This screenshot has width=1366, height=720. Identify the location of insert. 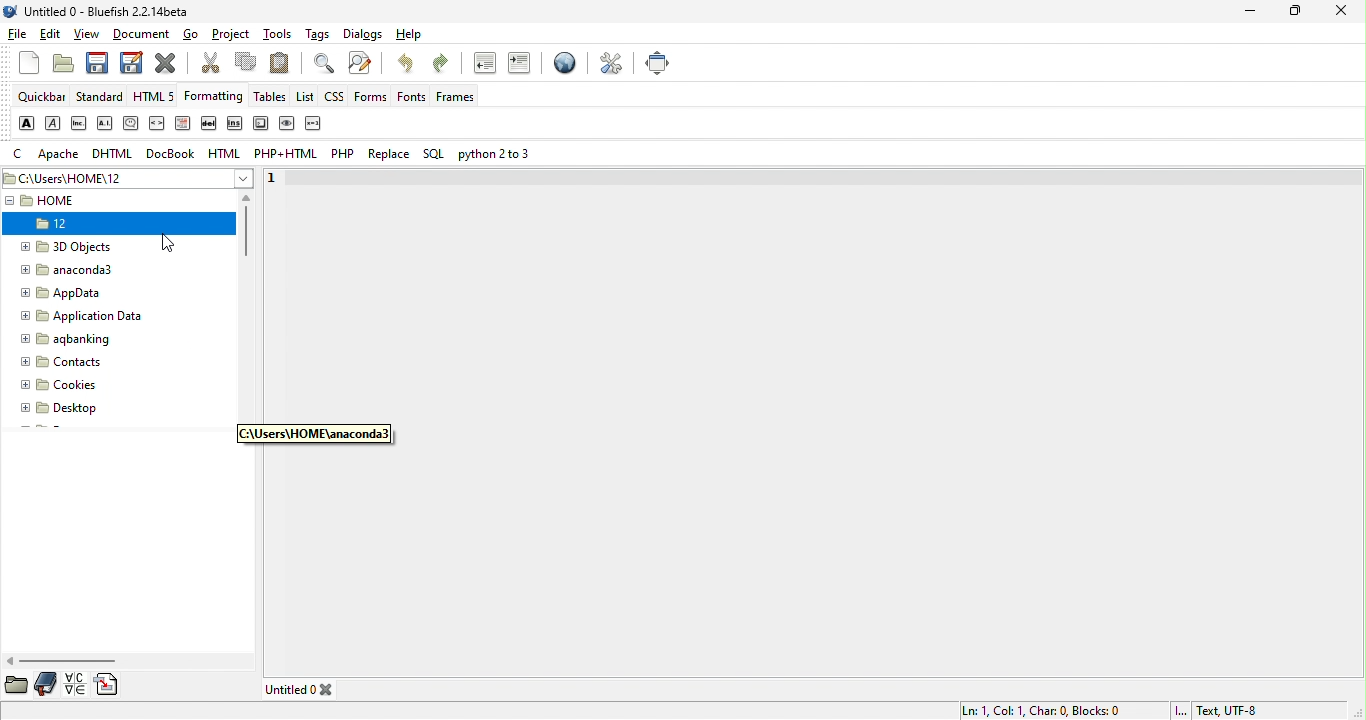
(237, 126).